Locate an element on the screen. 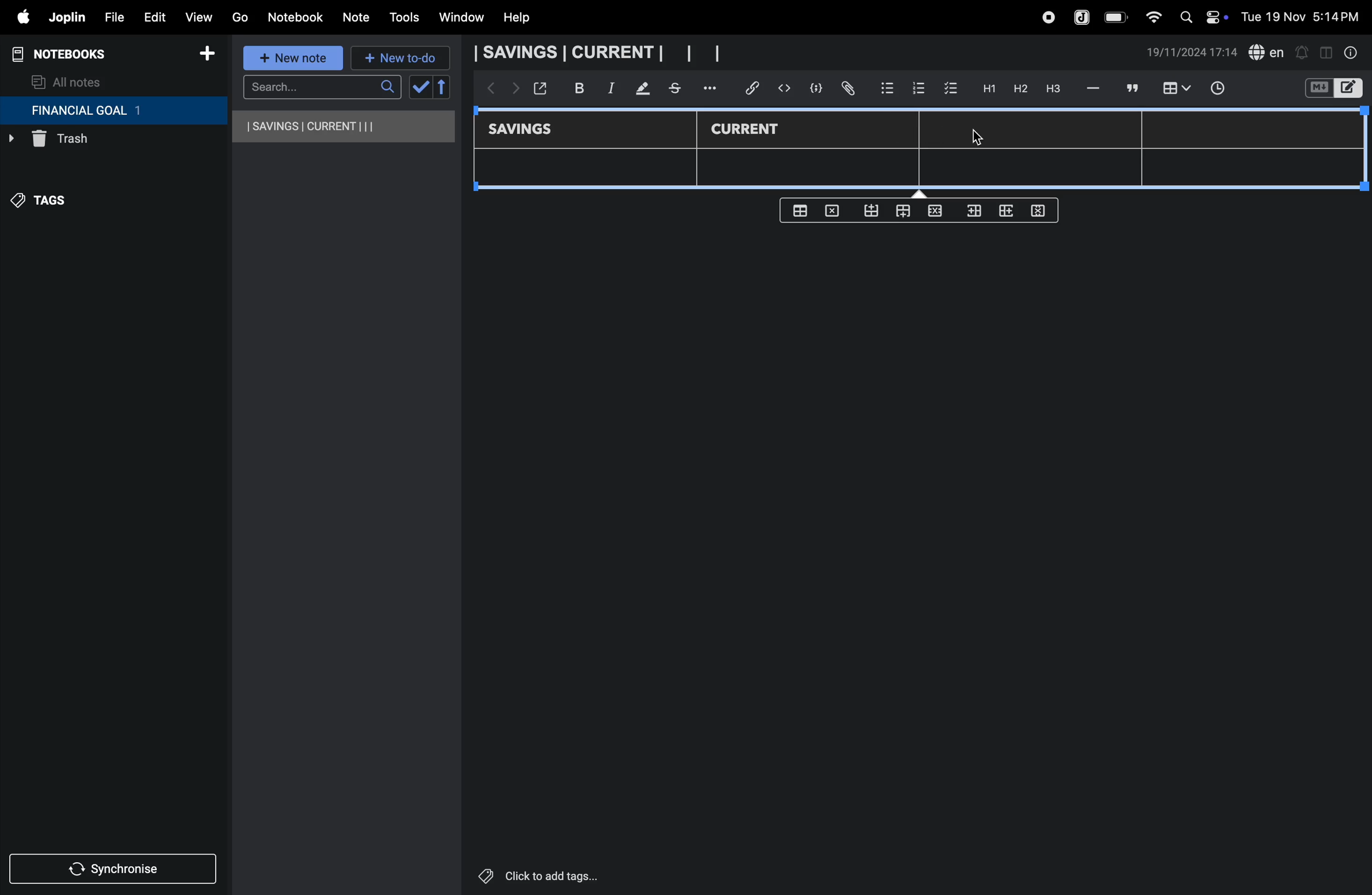  trash is located at coordinates (89, 142).